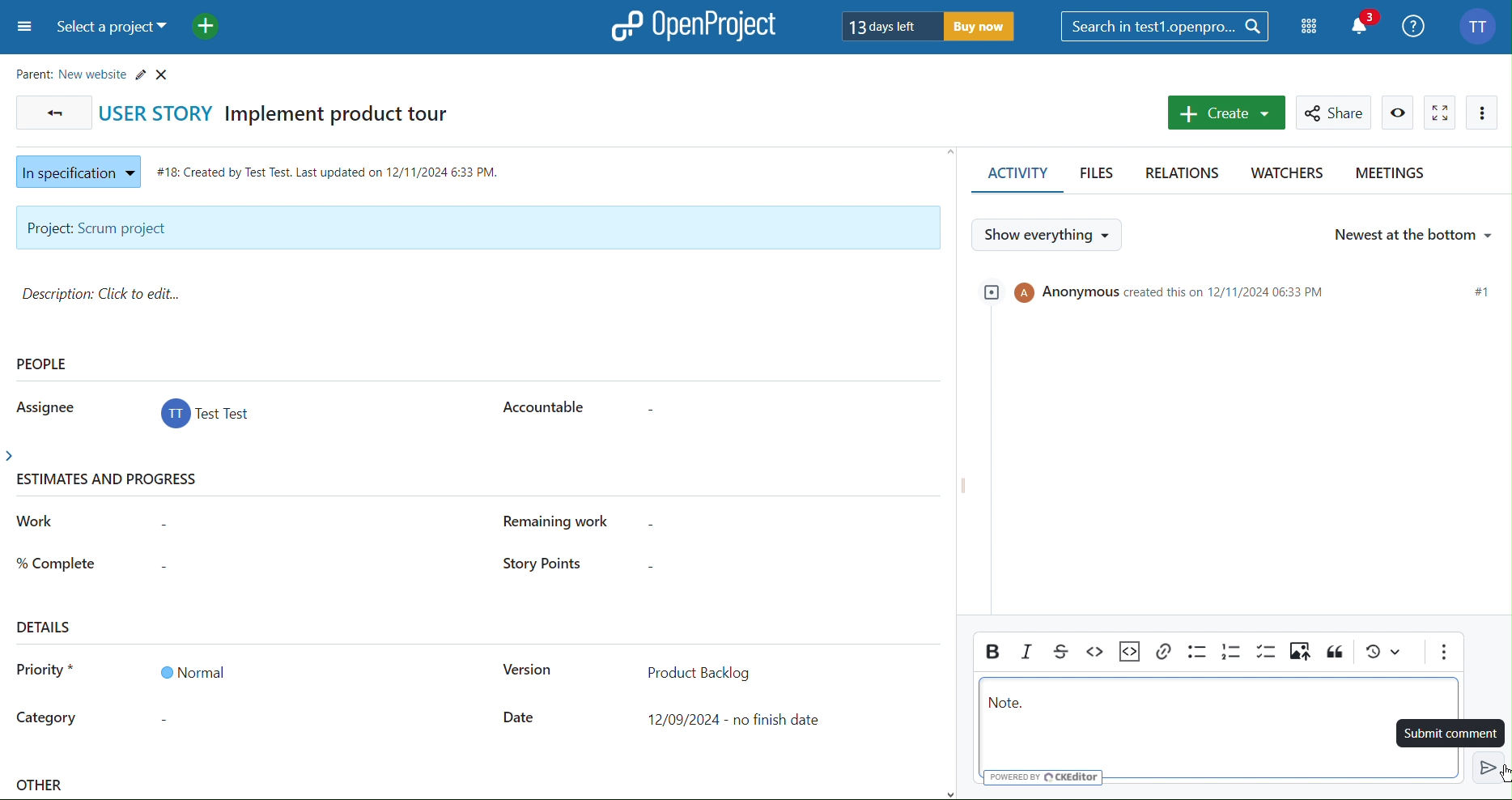 This screenshot has height=800, width=1512. I want to click on Category, so click(47, 720).